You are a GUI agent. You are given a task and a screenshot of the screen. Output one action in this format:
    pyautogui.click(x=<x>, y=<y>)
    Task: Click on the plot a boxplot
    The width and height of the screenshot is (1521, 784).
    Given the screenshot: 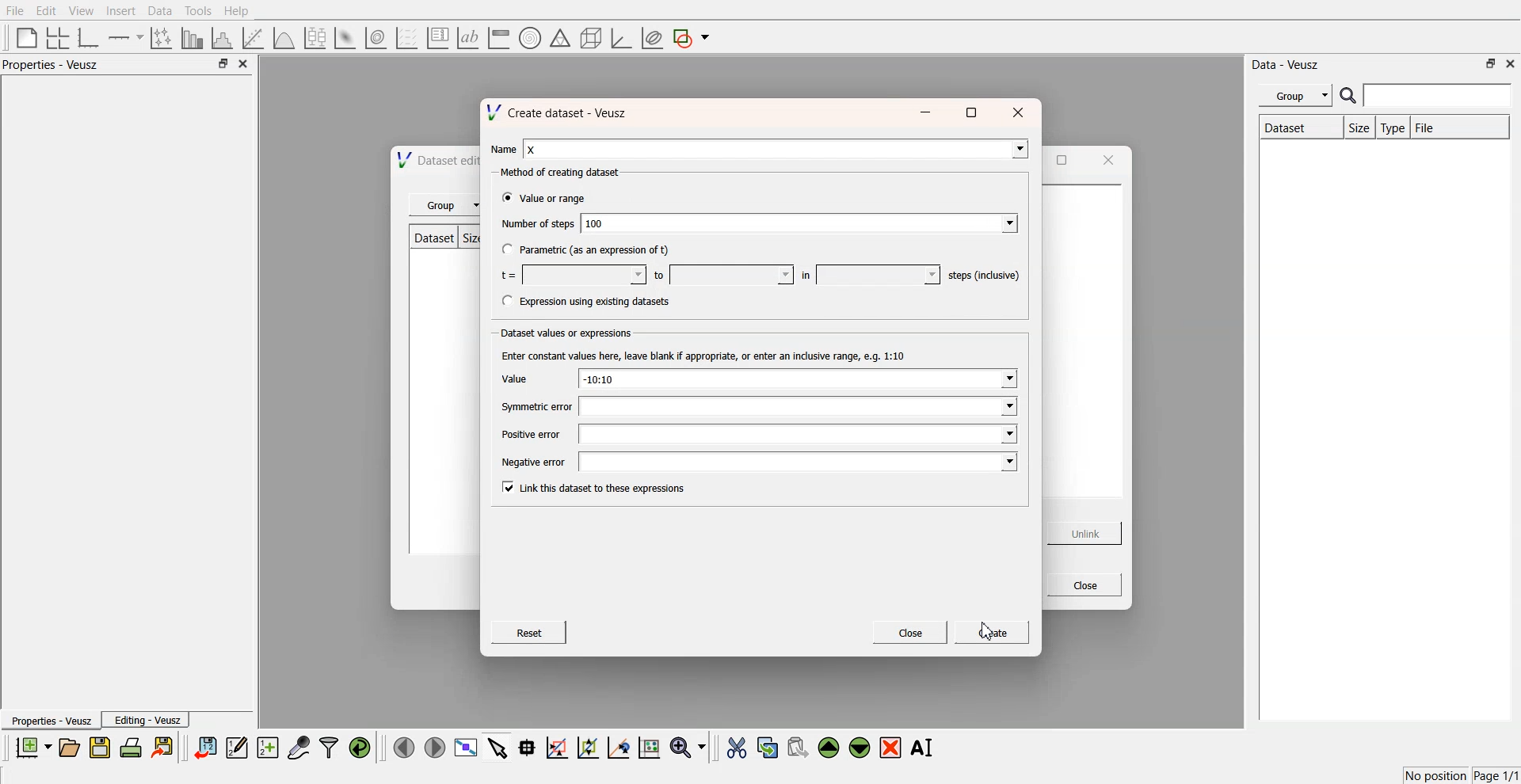 What is the action you would take?
    pyautogui.click(x=314, y=36)
    